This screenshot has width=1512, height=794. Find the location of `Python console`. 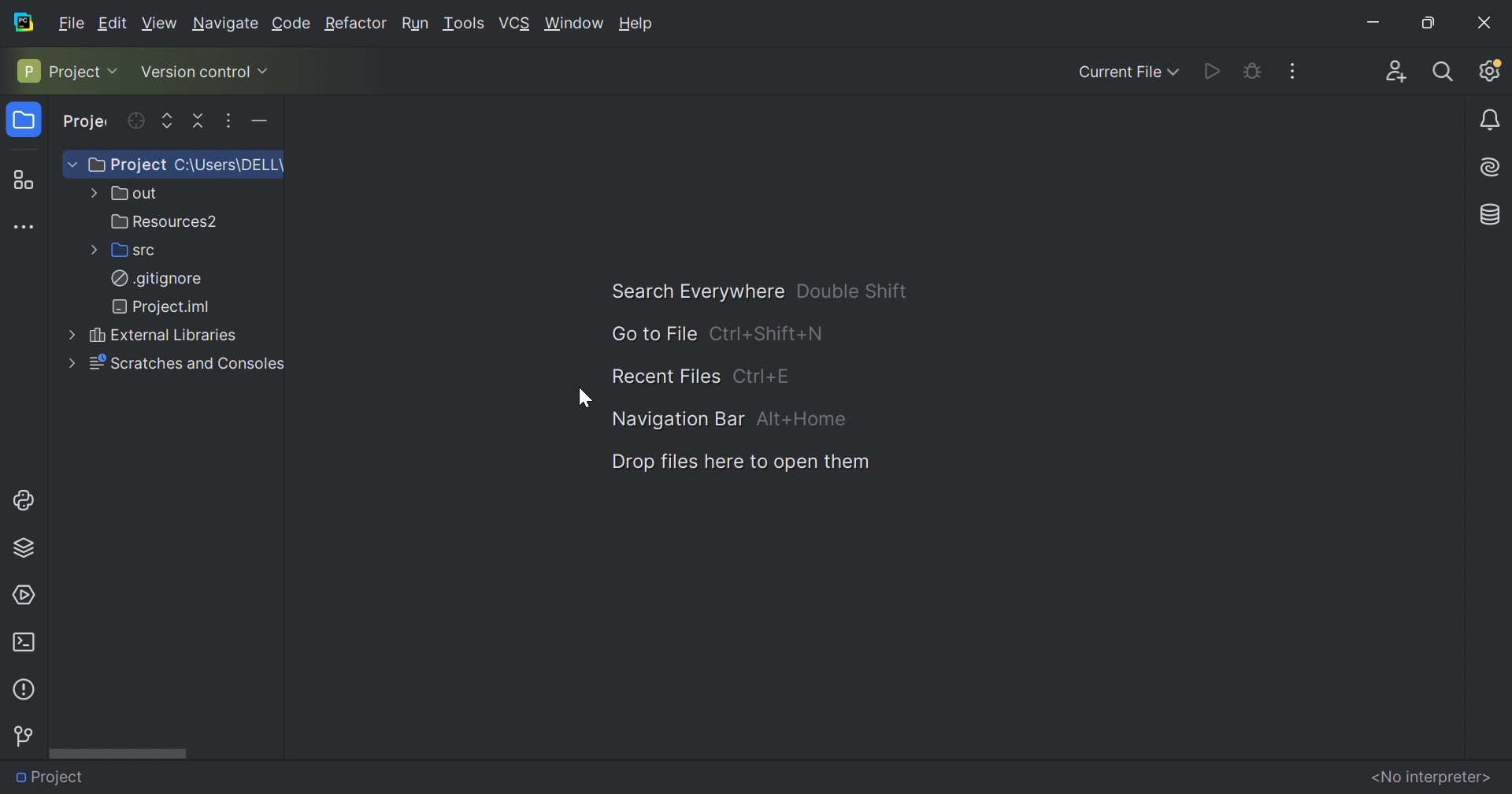

Python console is located at coordinates (27, 499).